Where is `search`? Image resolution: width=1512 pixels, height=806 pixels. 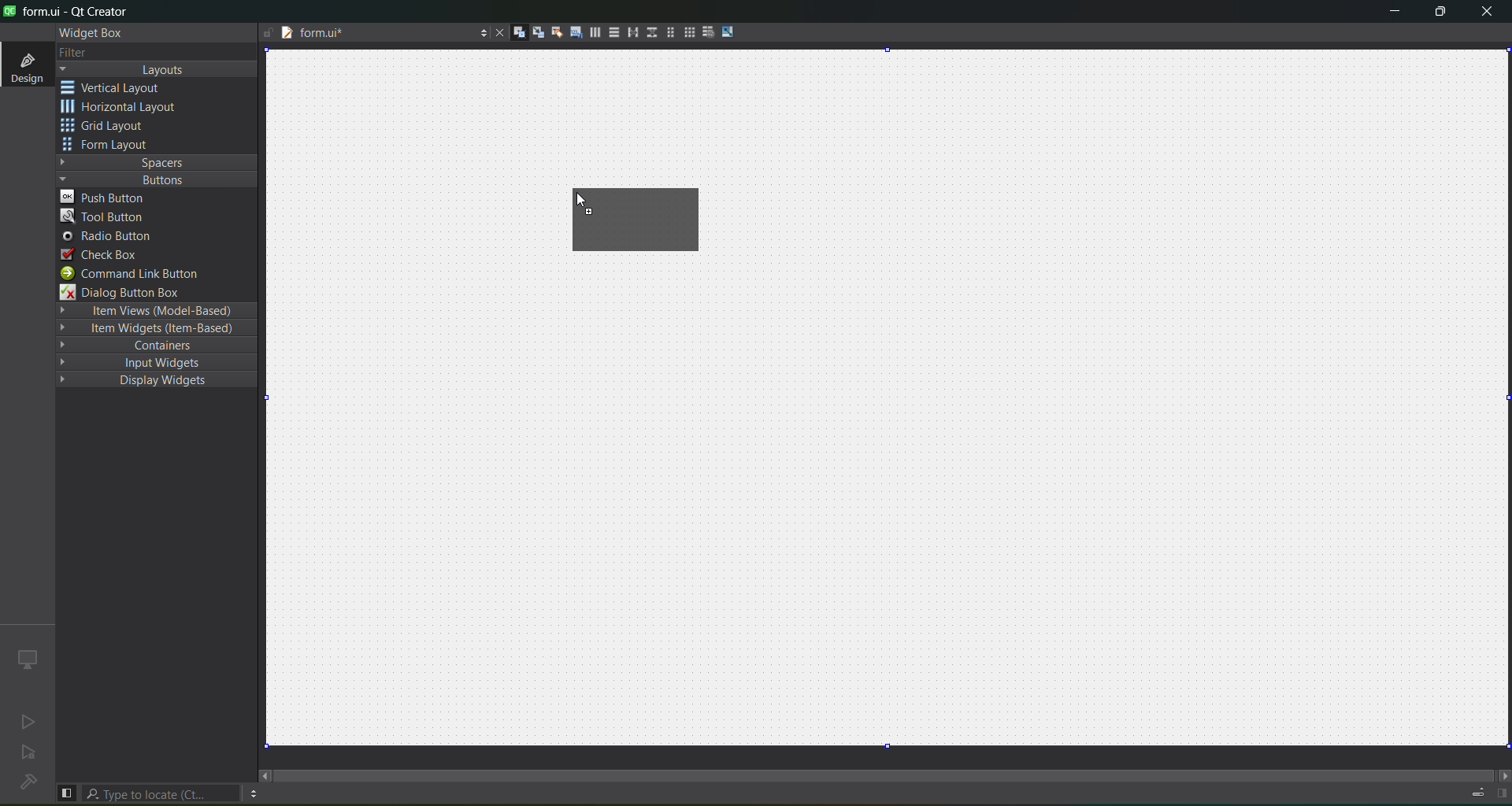 search is located at coordinates (162, 793).